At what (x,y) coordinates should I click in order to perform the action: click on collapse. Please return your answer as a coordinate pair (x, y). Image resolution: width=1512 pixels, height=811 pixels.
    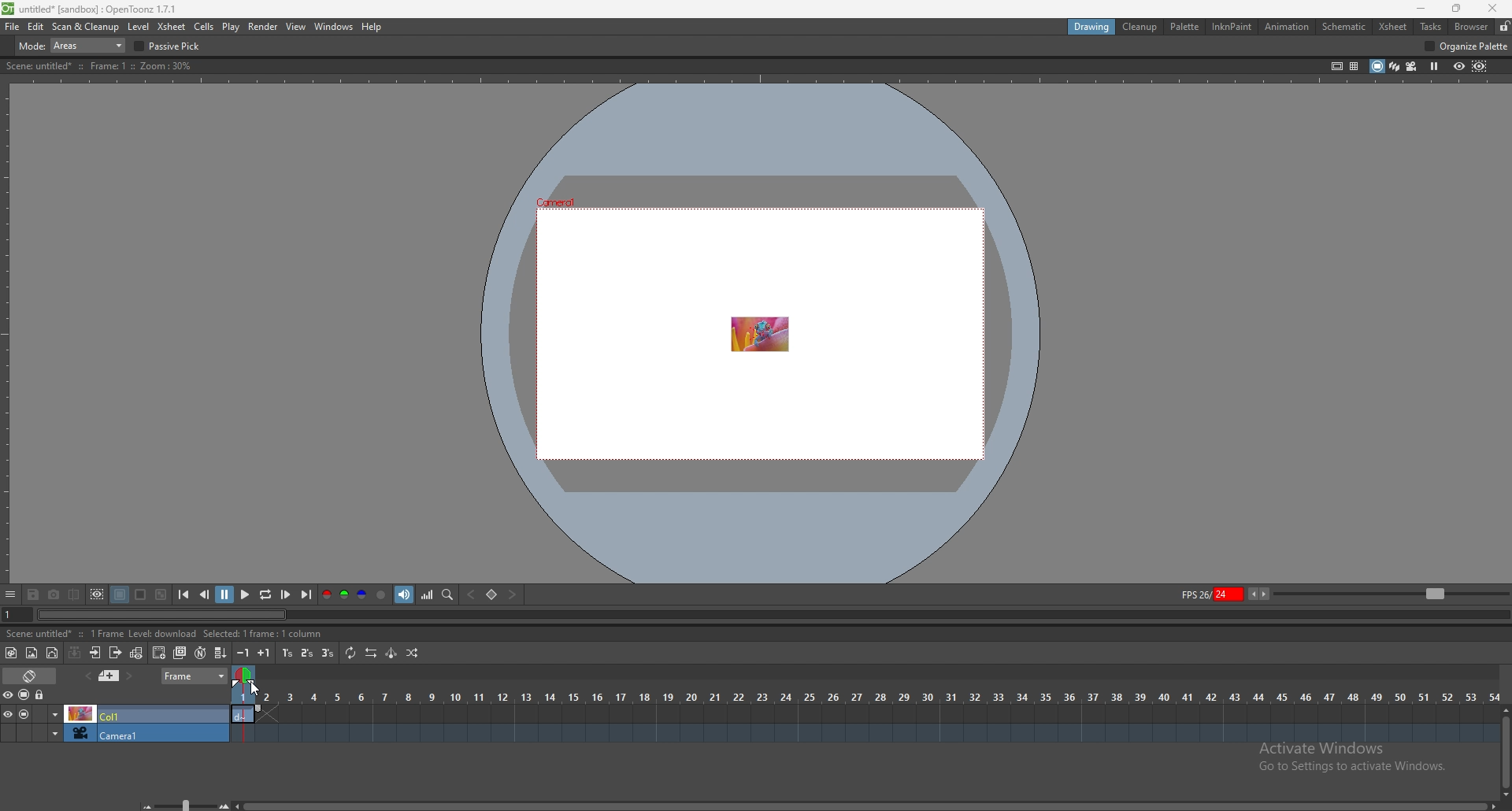
    Looking at the image, I should click on (75, 653).